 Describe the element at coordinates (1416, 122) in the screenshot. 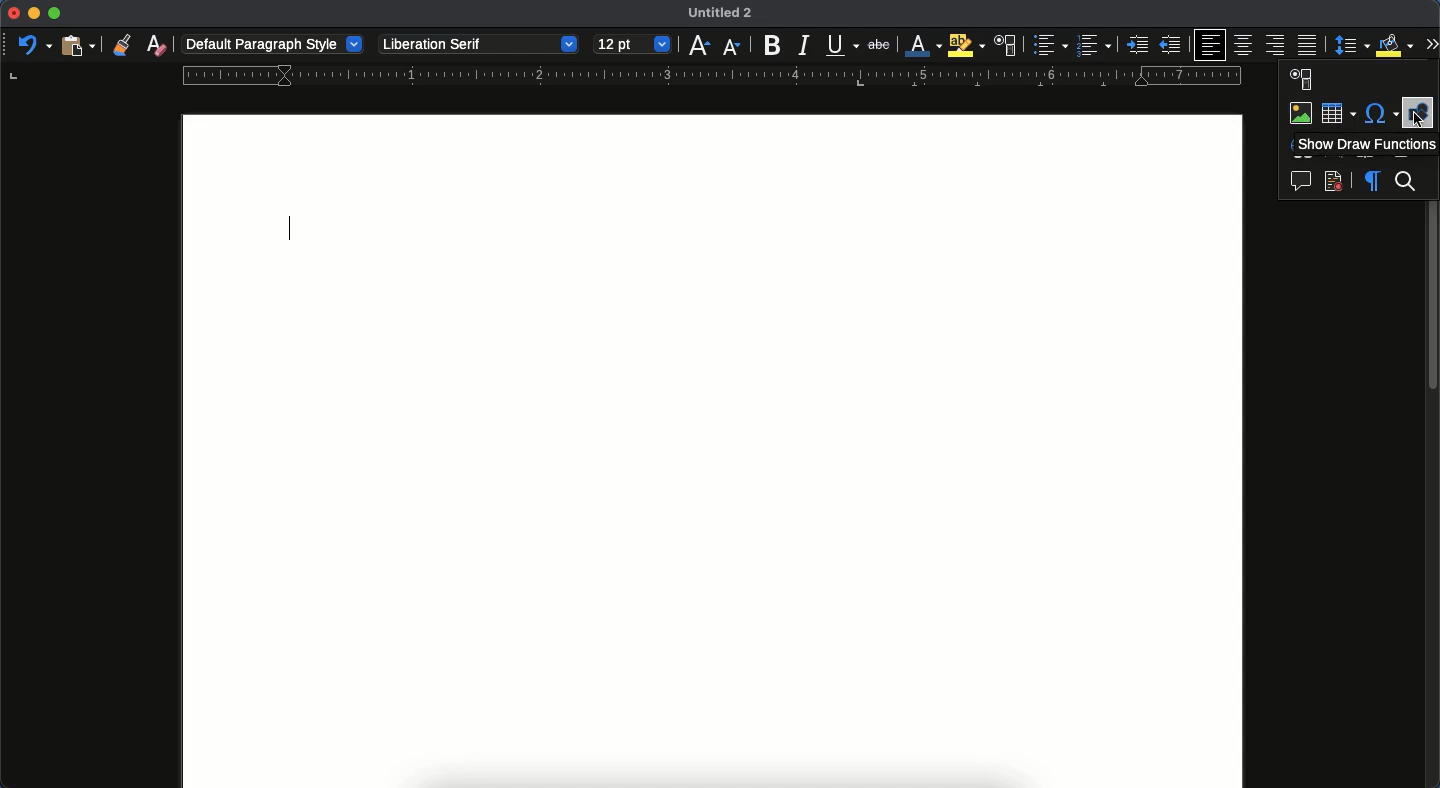

I see `Cursor` at that location.